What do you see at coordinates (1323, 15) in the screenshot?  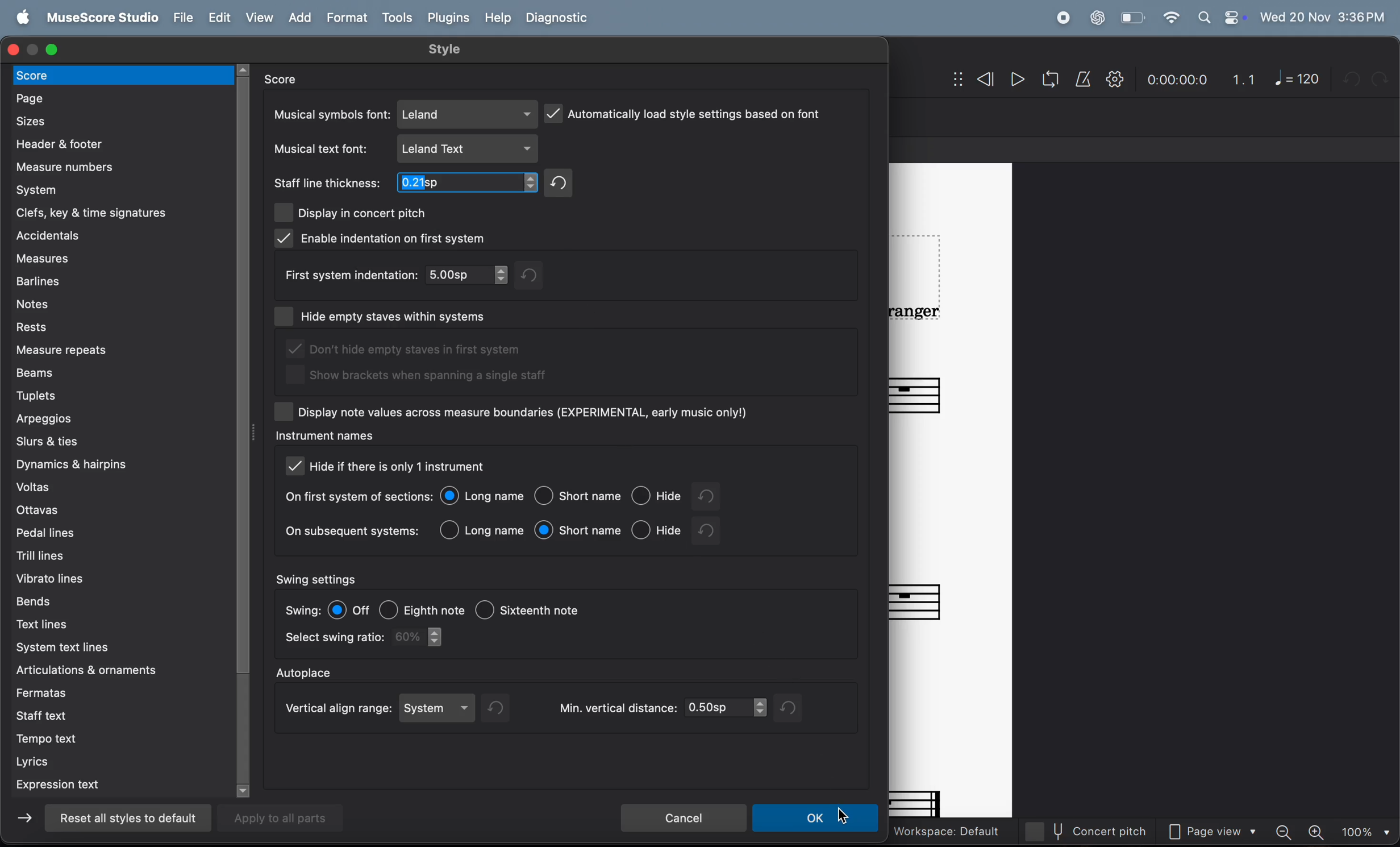 I see `date and time` at bounding box center [1323, 15].